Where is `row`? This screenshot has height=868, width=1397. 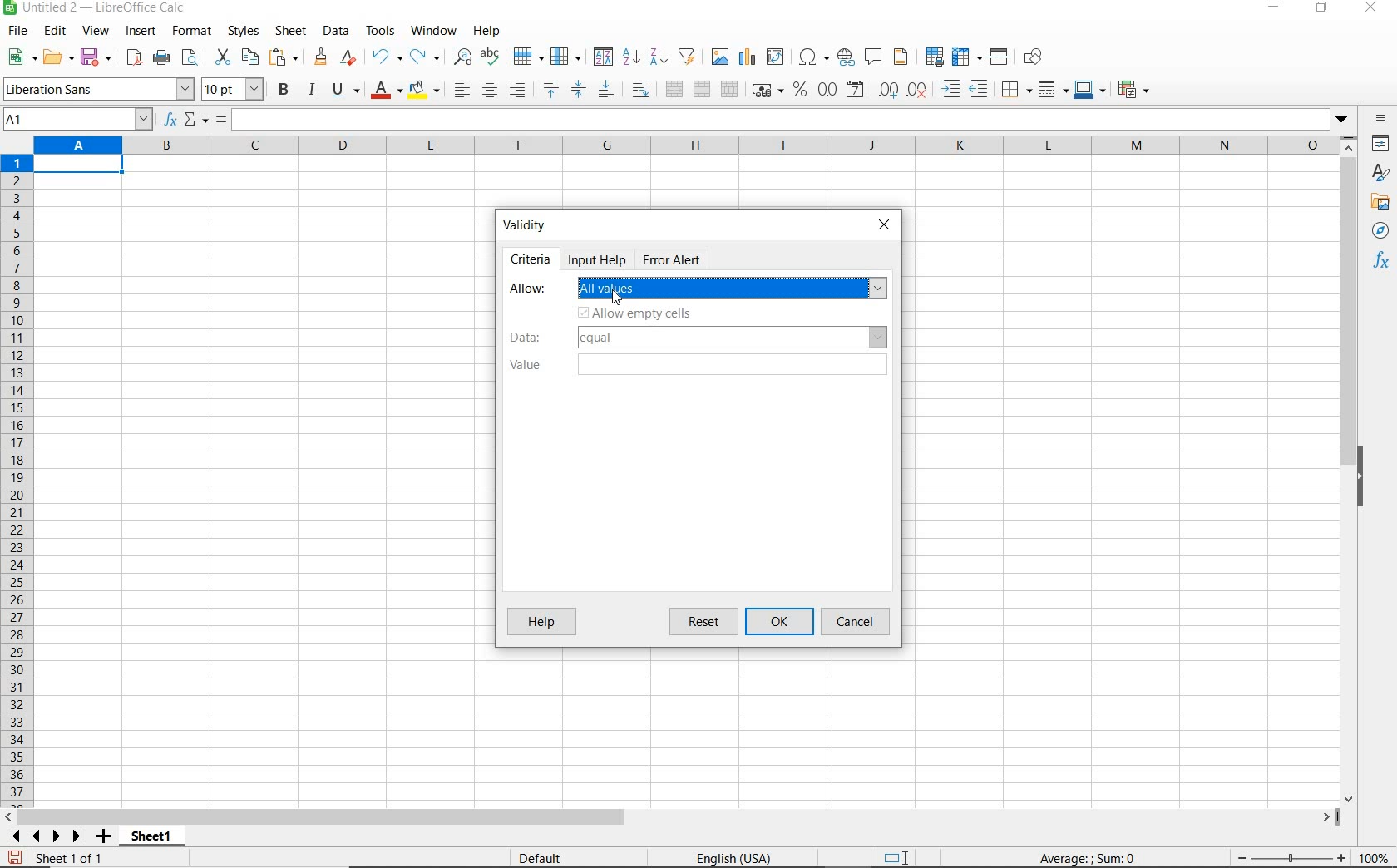
row is located at coordinates (528, 57).